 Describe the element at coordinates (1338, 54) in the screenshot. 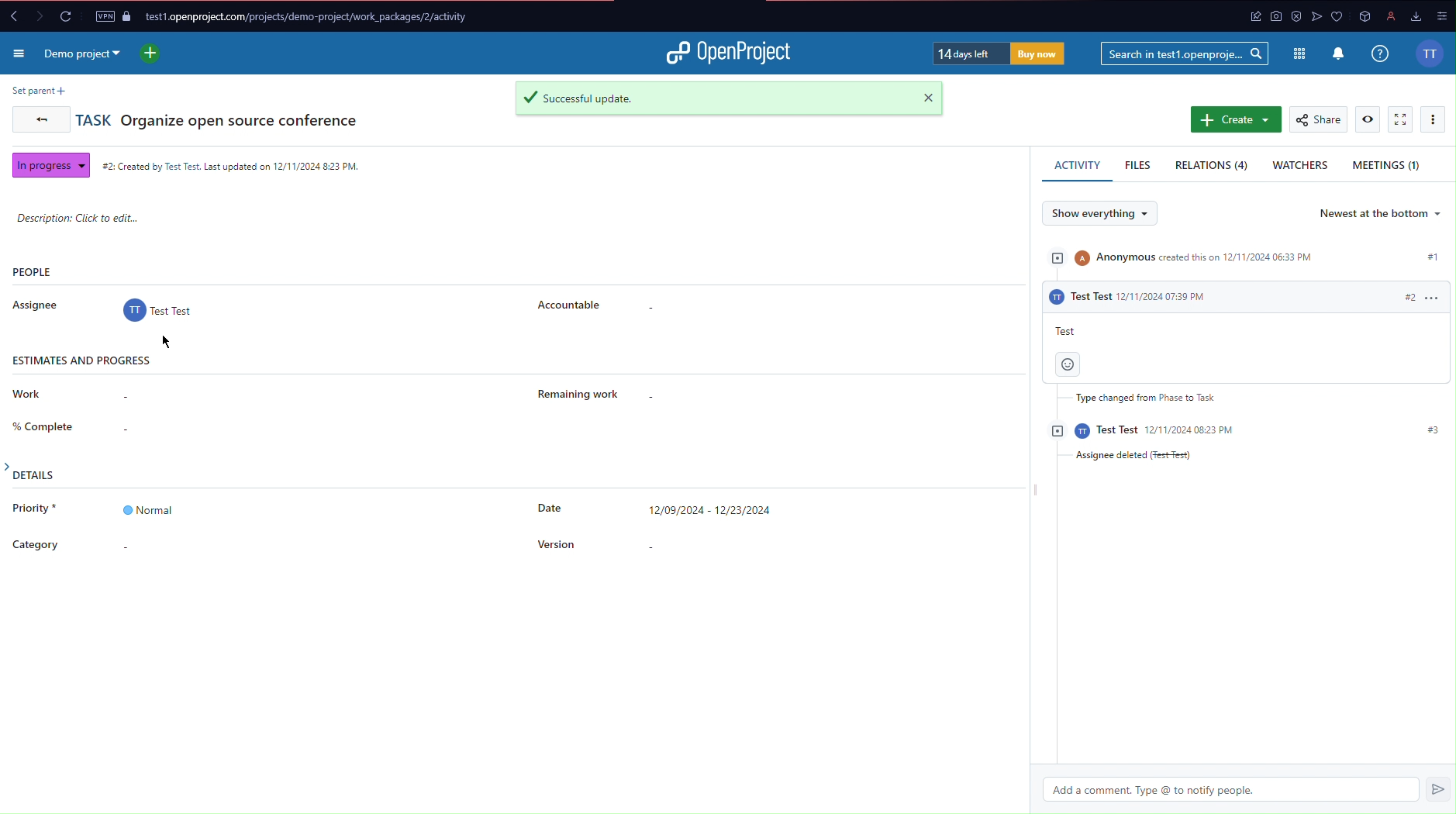

I see `Notifications` at that location.